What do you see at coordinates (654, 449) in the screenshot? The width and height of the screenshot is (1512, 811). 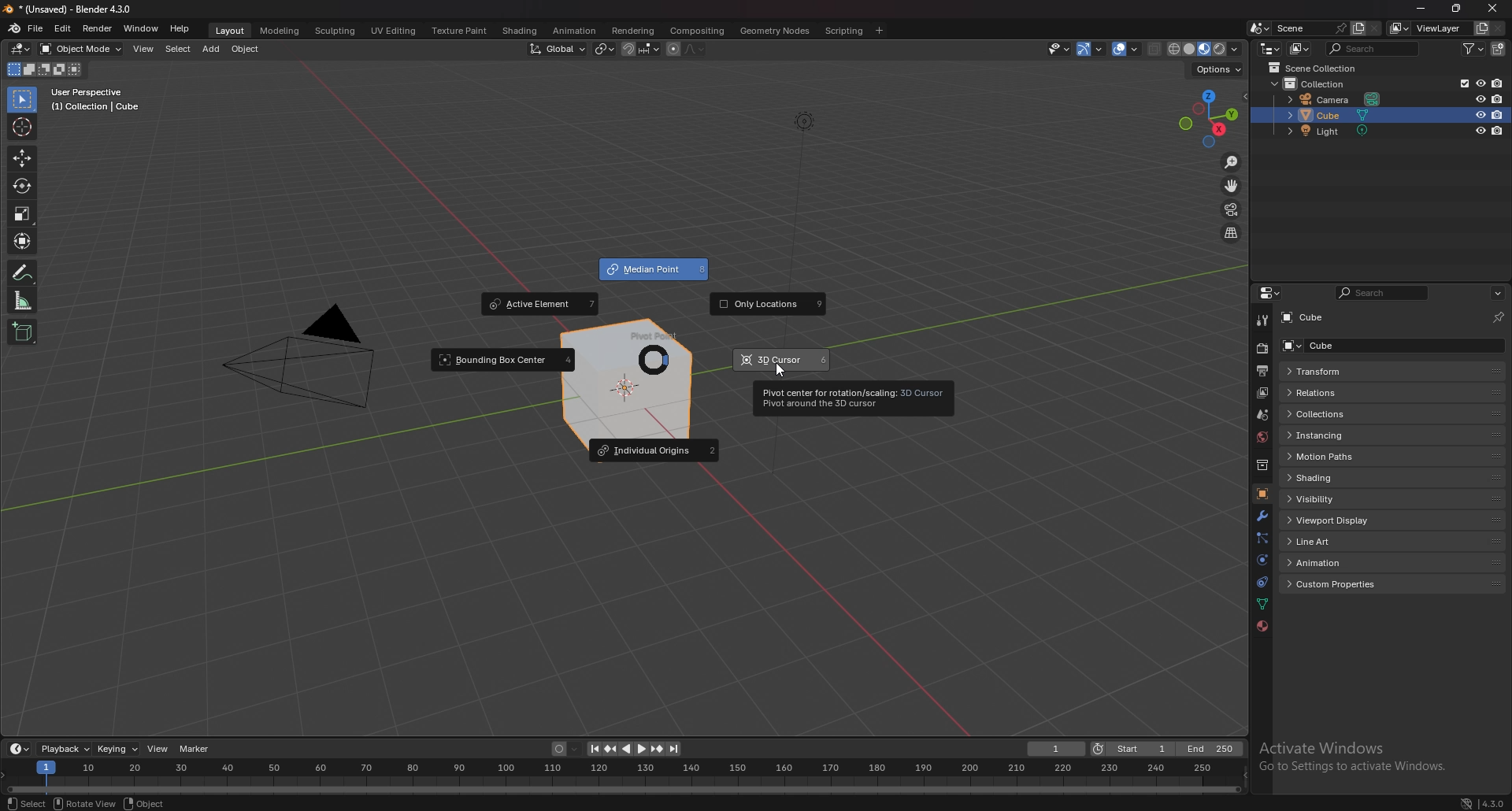 I see `individual origins` at bounding box center [654, 449].